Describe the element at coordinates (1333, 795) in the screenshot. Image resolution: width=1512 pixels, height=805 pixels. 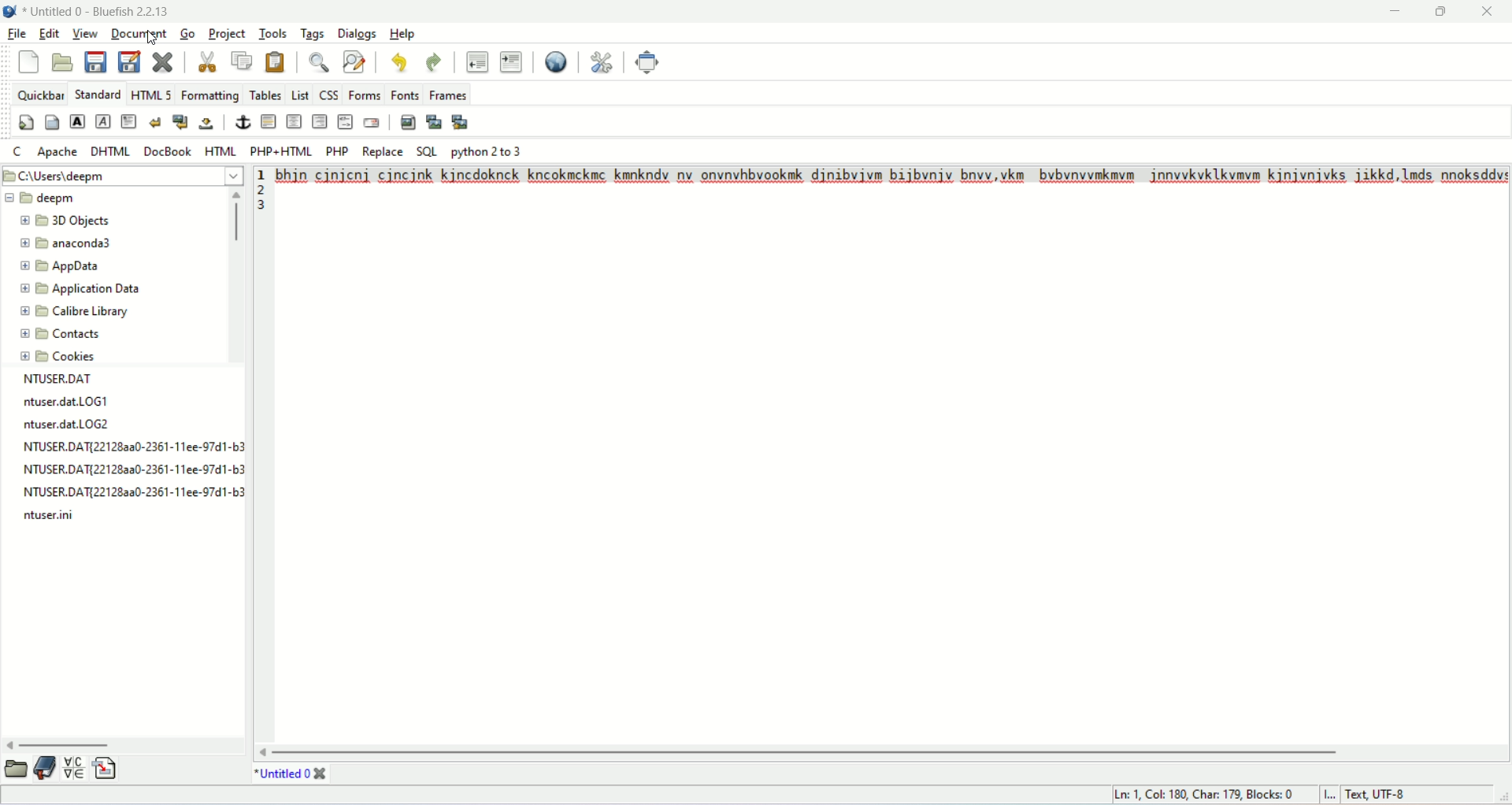
I see `I` at that location.